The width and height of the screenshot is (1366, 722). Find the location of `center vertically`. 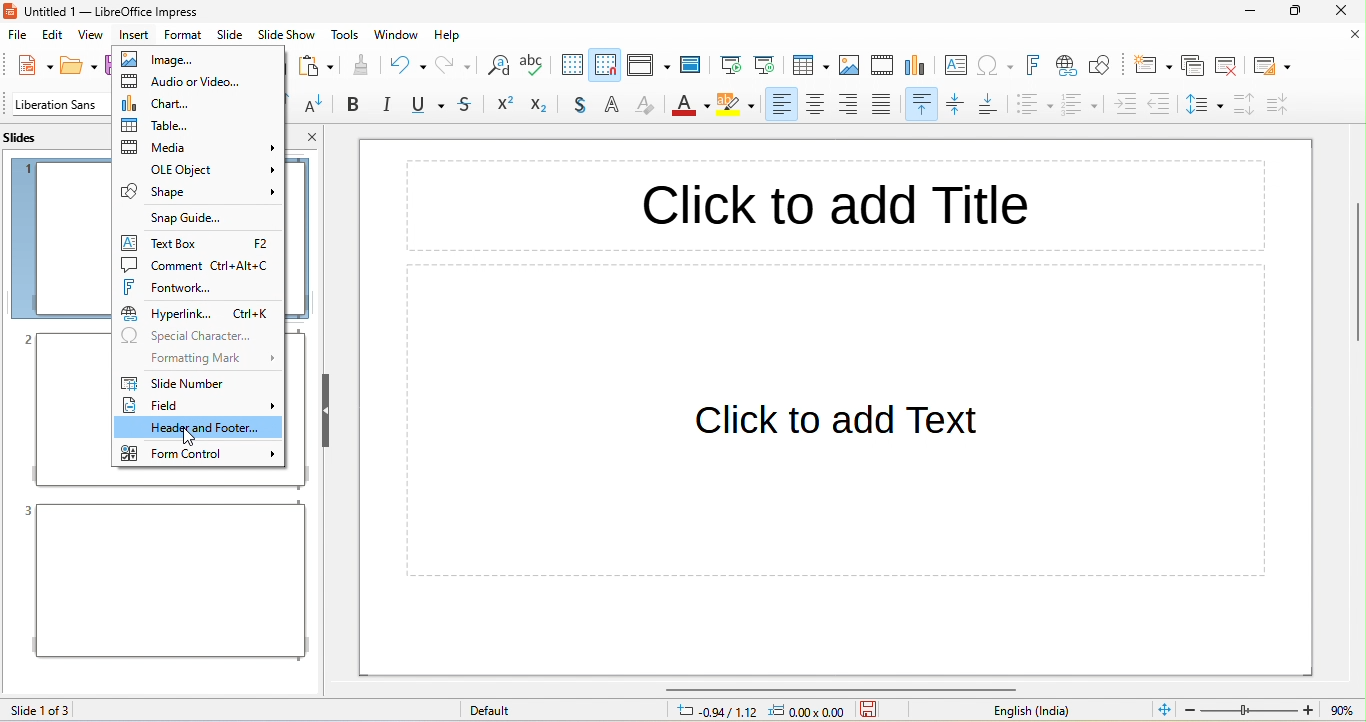

center vertically is located at coordinates (958, 106).